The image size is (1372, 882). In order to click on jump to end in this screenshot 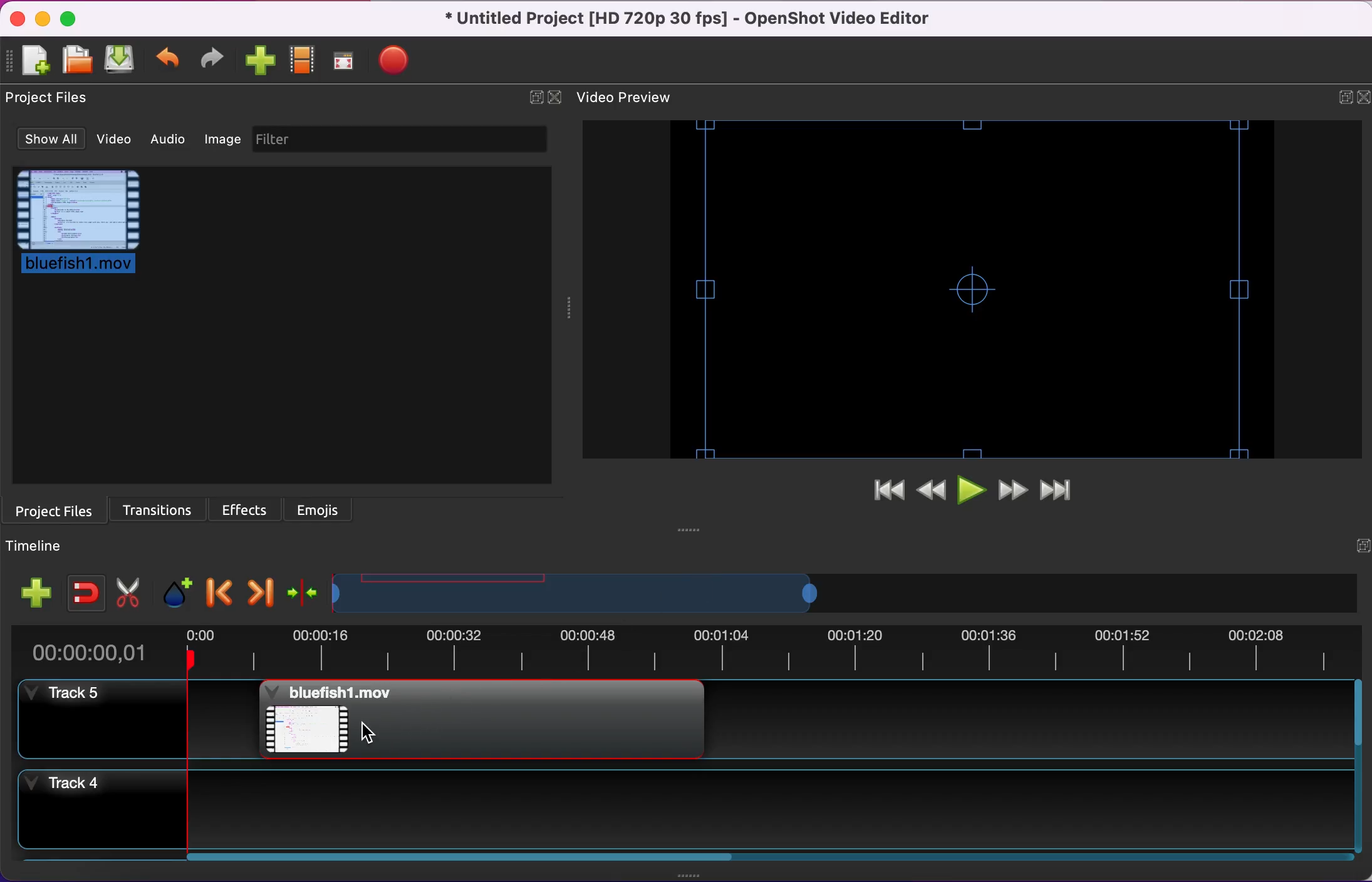, I will do `click(1061, 488)`.